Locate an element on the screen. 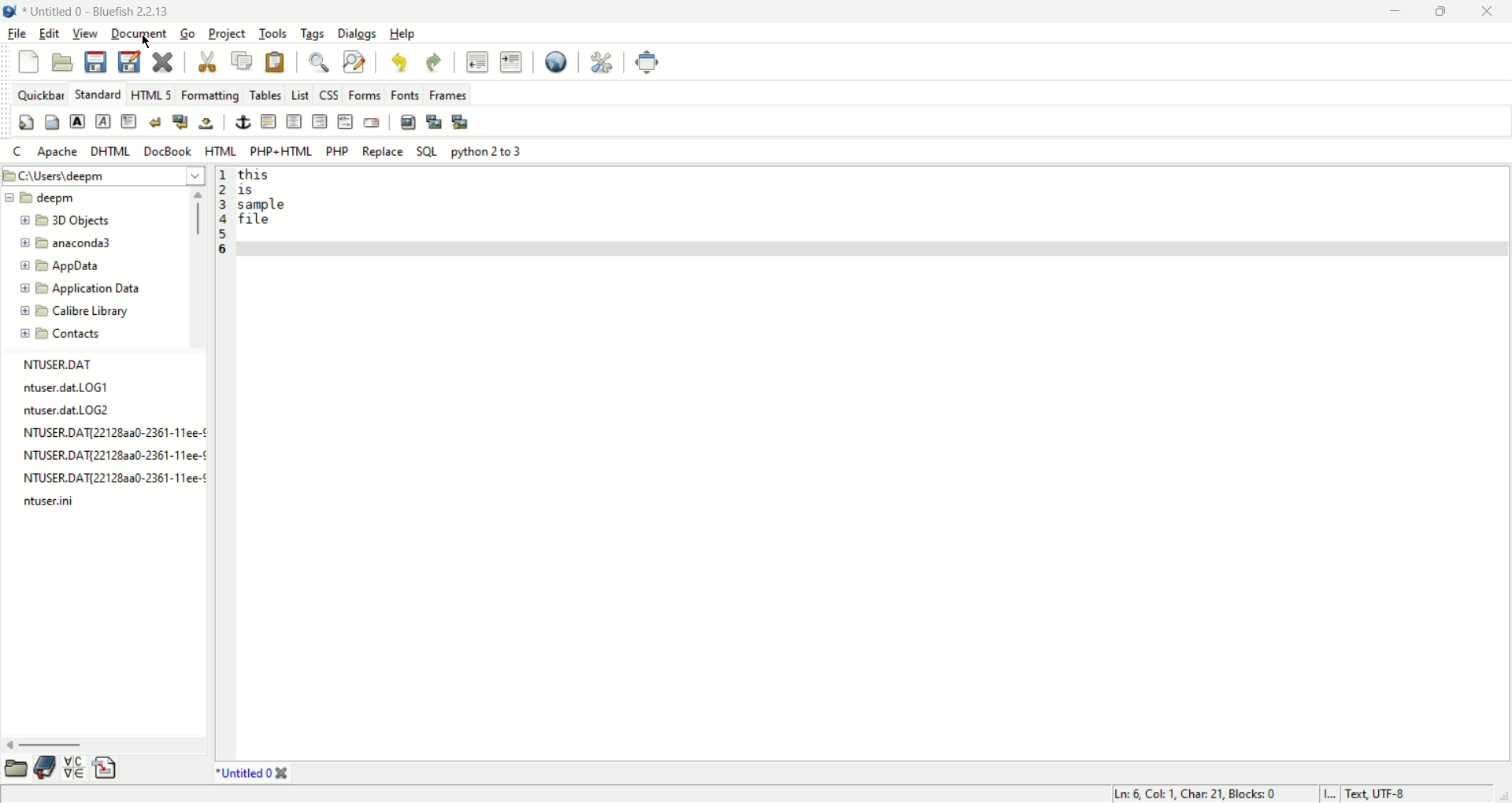 The height and width of the screenshot is (803, 1512). charmap is located at coordinates (74, 768).